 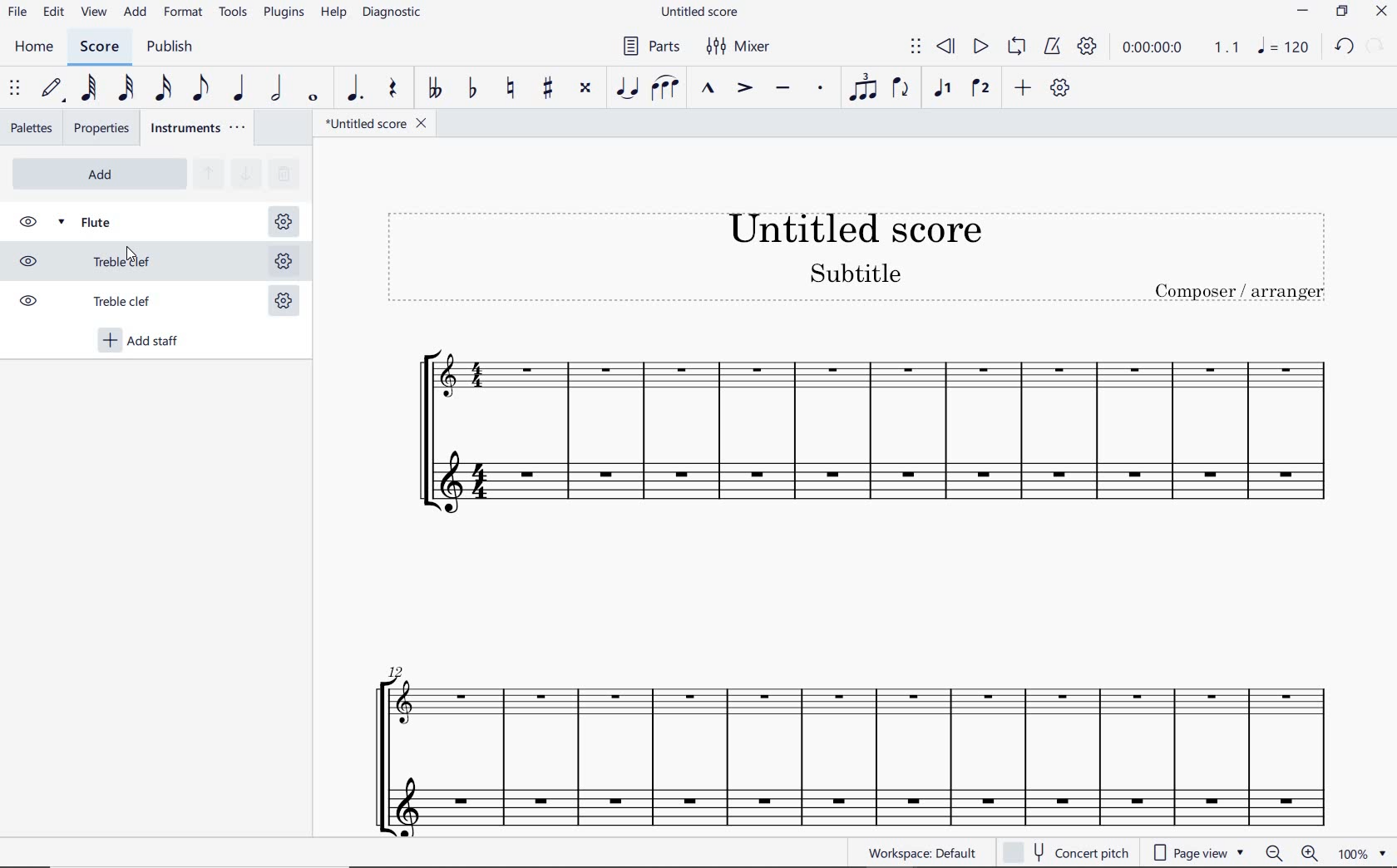 What do you see at coordinates (32, 130) in the screenshot?
I see `palettes` at bounding box center [32, 130].